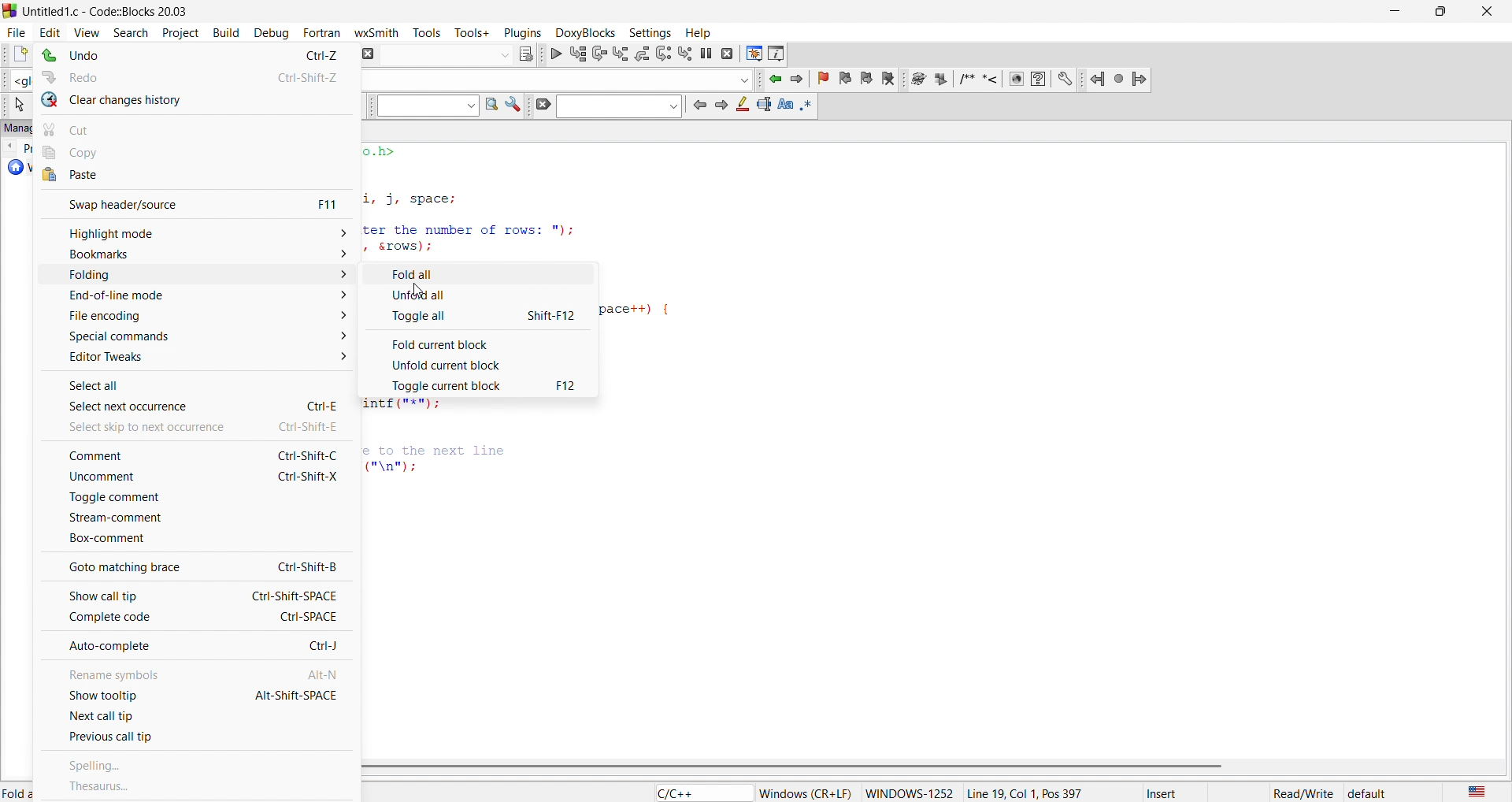  I want to click on toggle comment, so click(191, 498).